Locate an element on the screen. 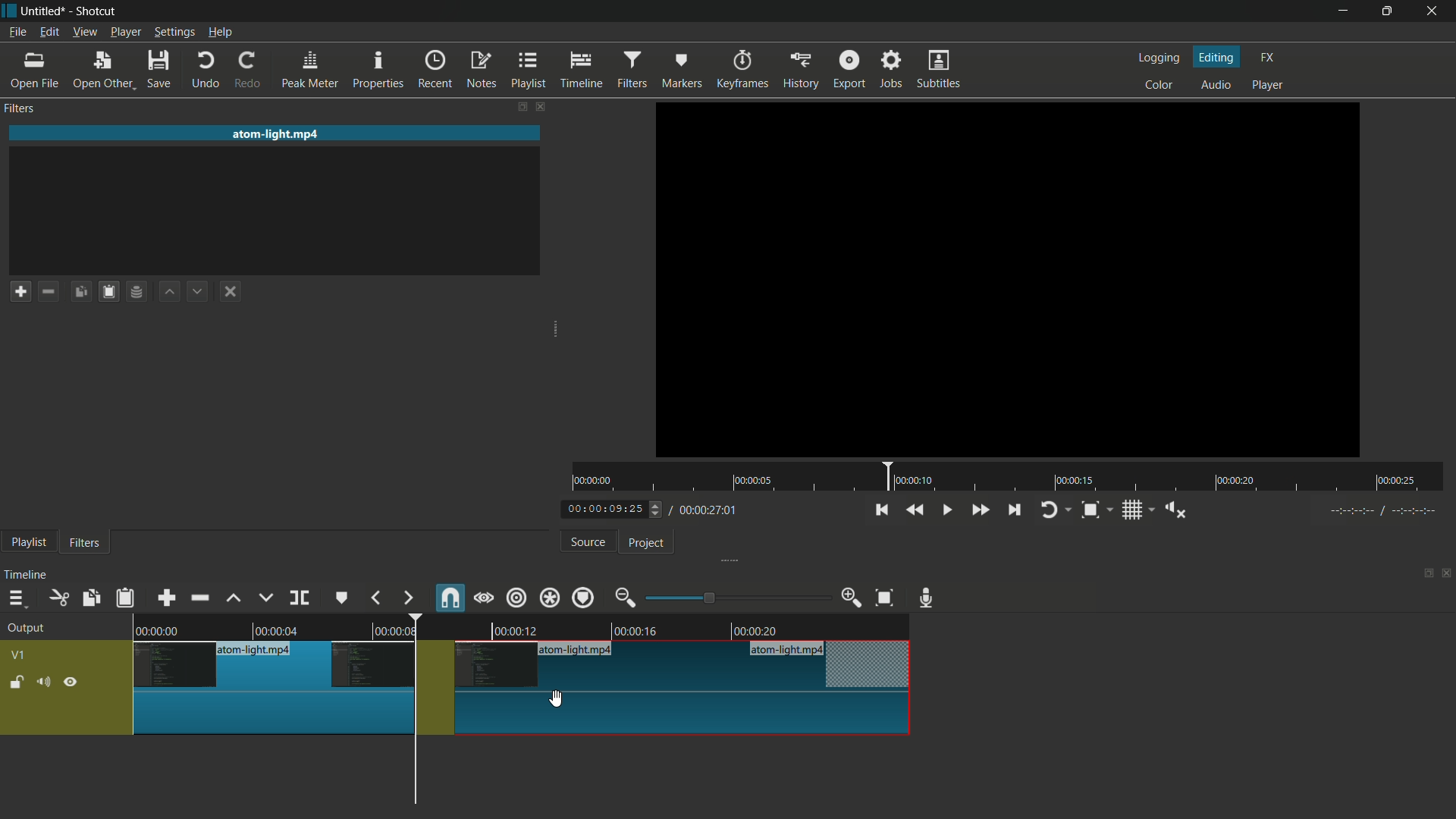 The image size is (1456, 819). player menu is located at coordinates (125, 32).